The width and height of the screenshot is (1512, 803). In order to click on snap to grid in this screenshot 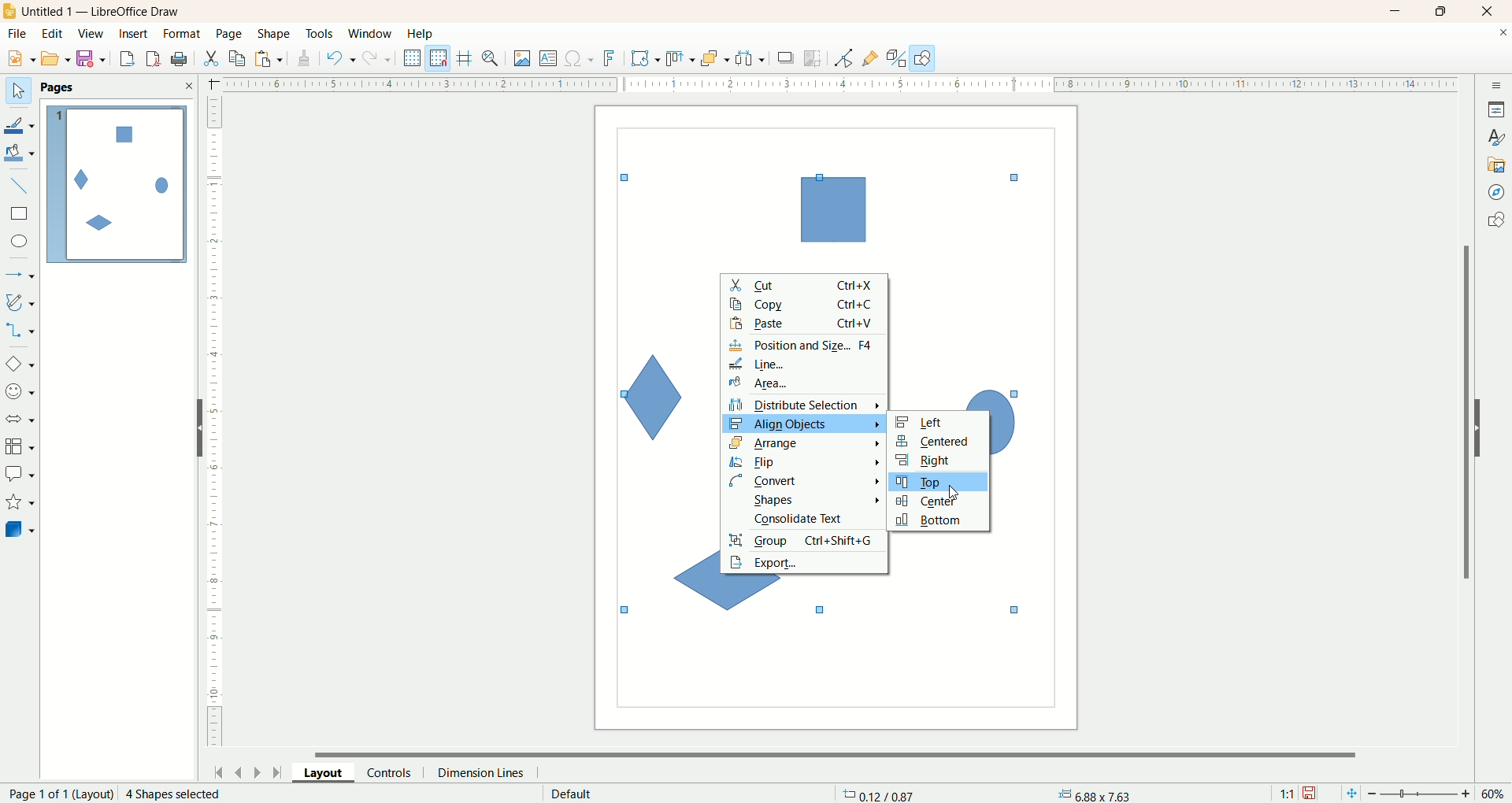, I will do `click(442, 58)`.